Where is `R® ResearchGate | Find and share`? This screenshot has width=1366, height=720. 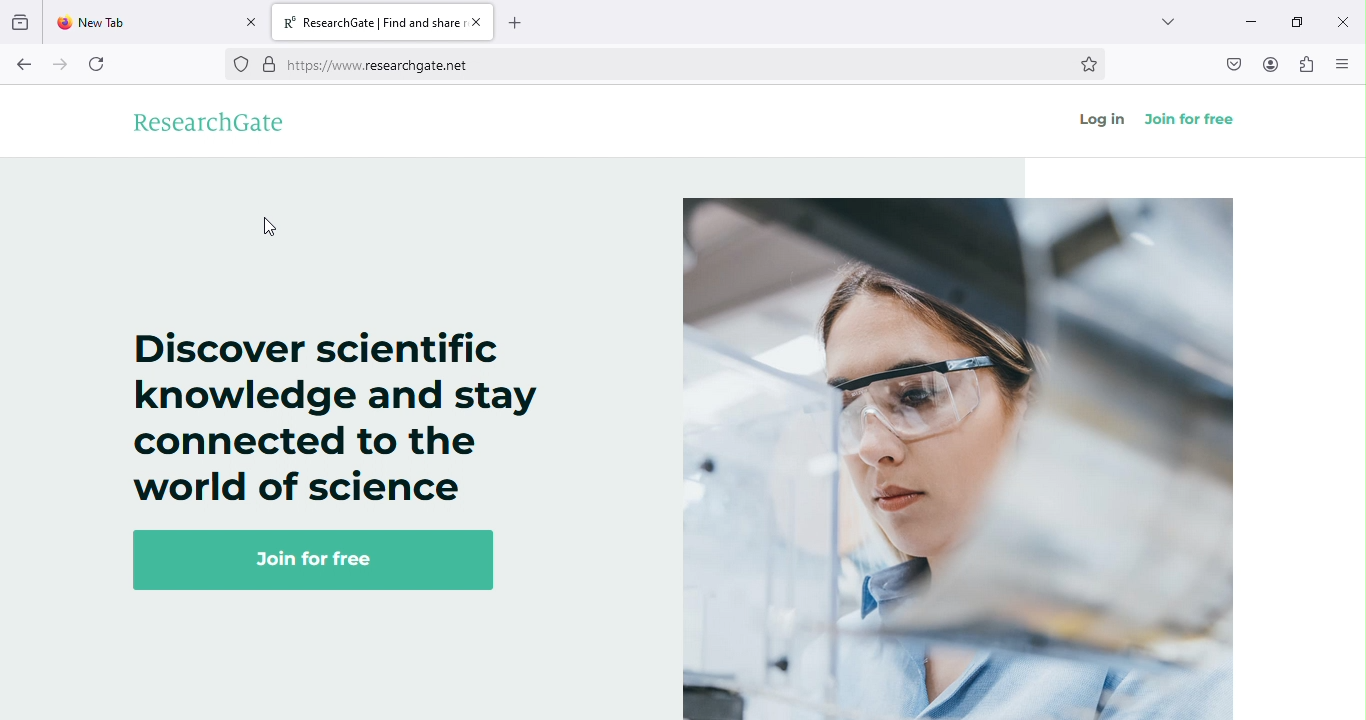
R® ResearchGate | Find and share is located at coordinates (373, 22).